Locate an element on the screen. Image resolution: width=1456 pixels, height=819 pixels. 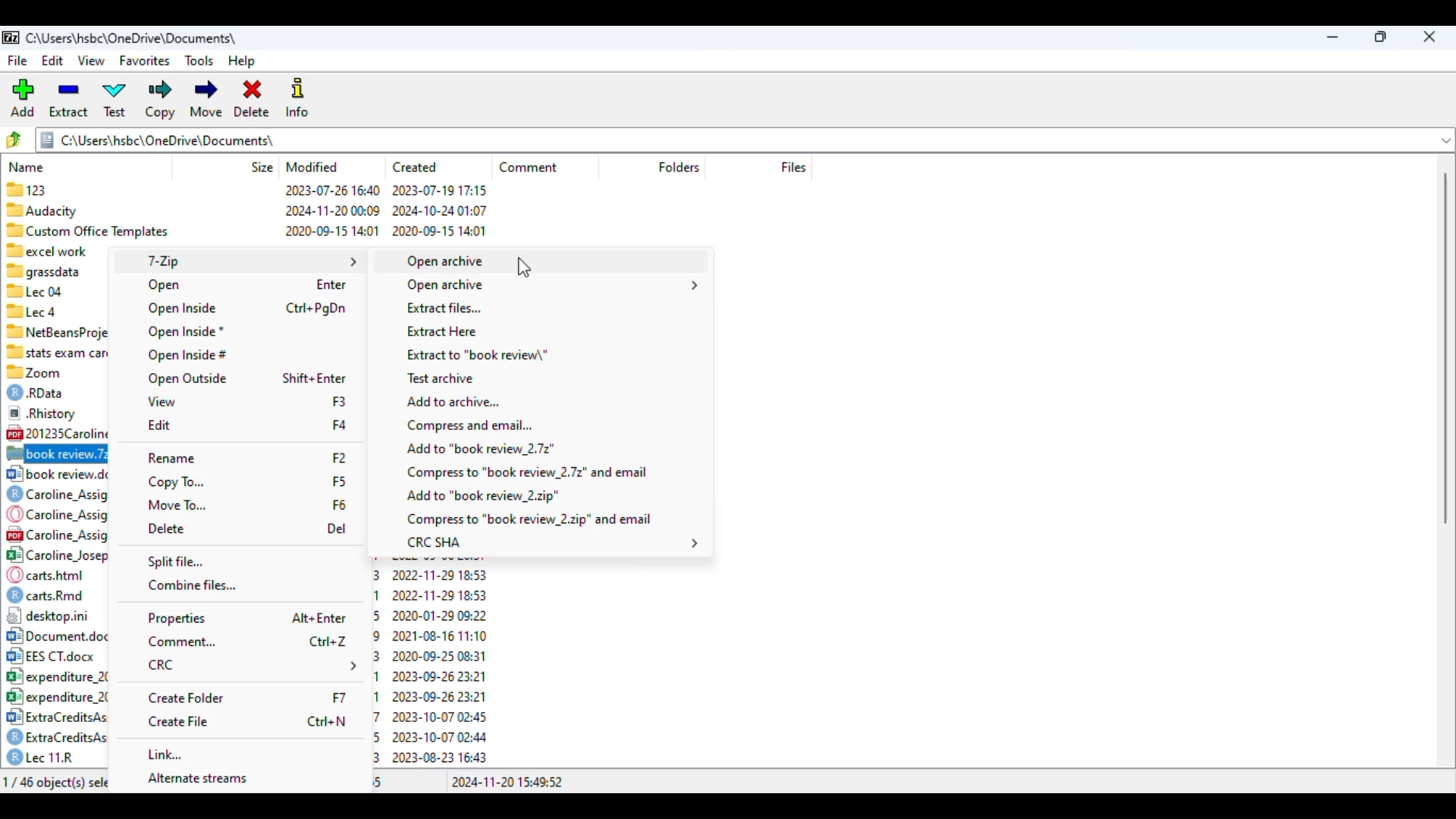
copy is located at coordinates (160, 100).